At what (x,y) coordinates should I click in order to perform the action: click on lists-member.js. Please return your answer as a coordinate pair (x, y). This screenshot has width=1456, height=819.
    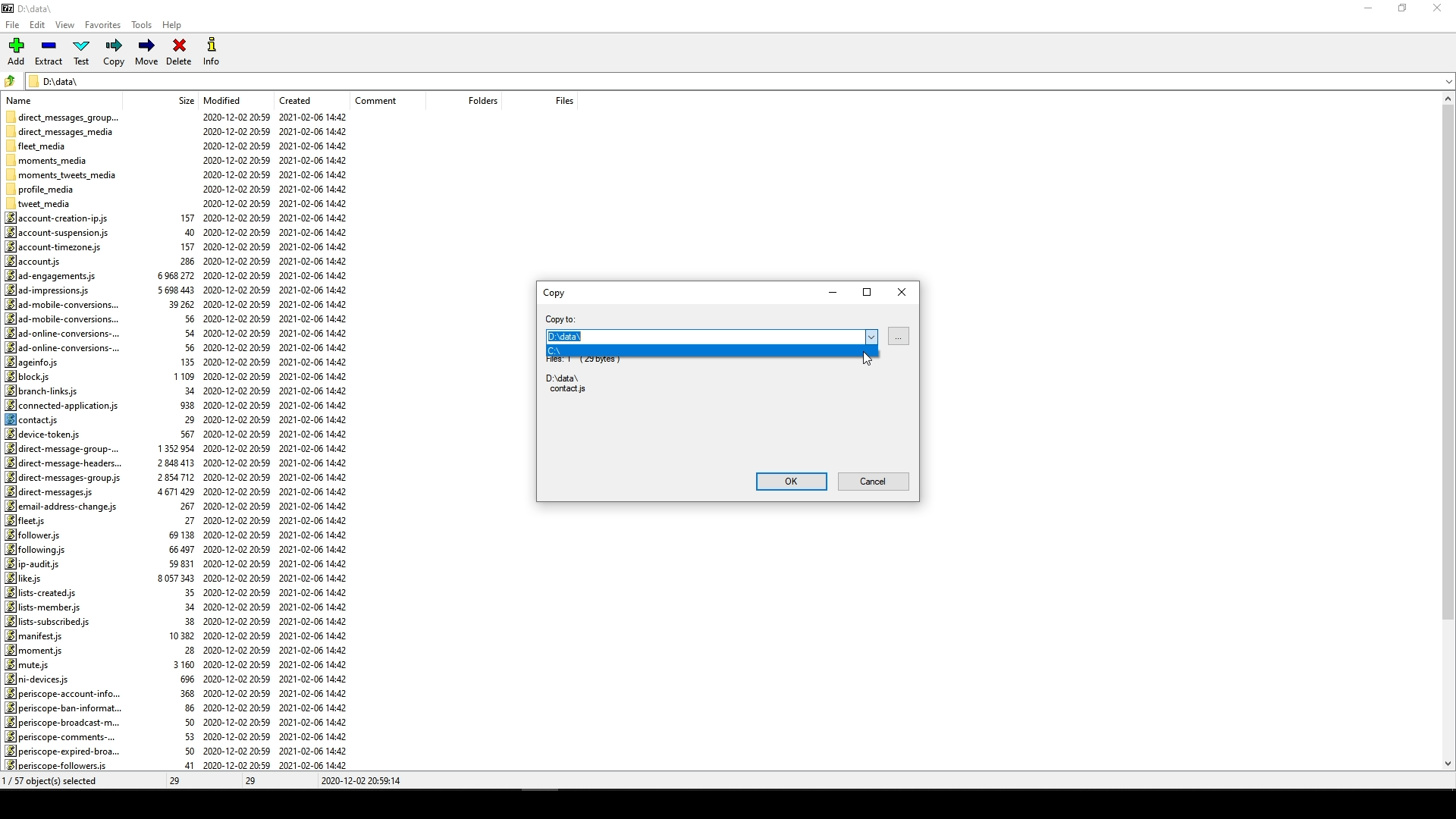
    Looking at the image, I should click on (42, 607).